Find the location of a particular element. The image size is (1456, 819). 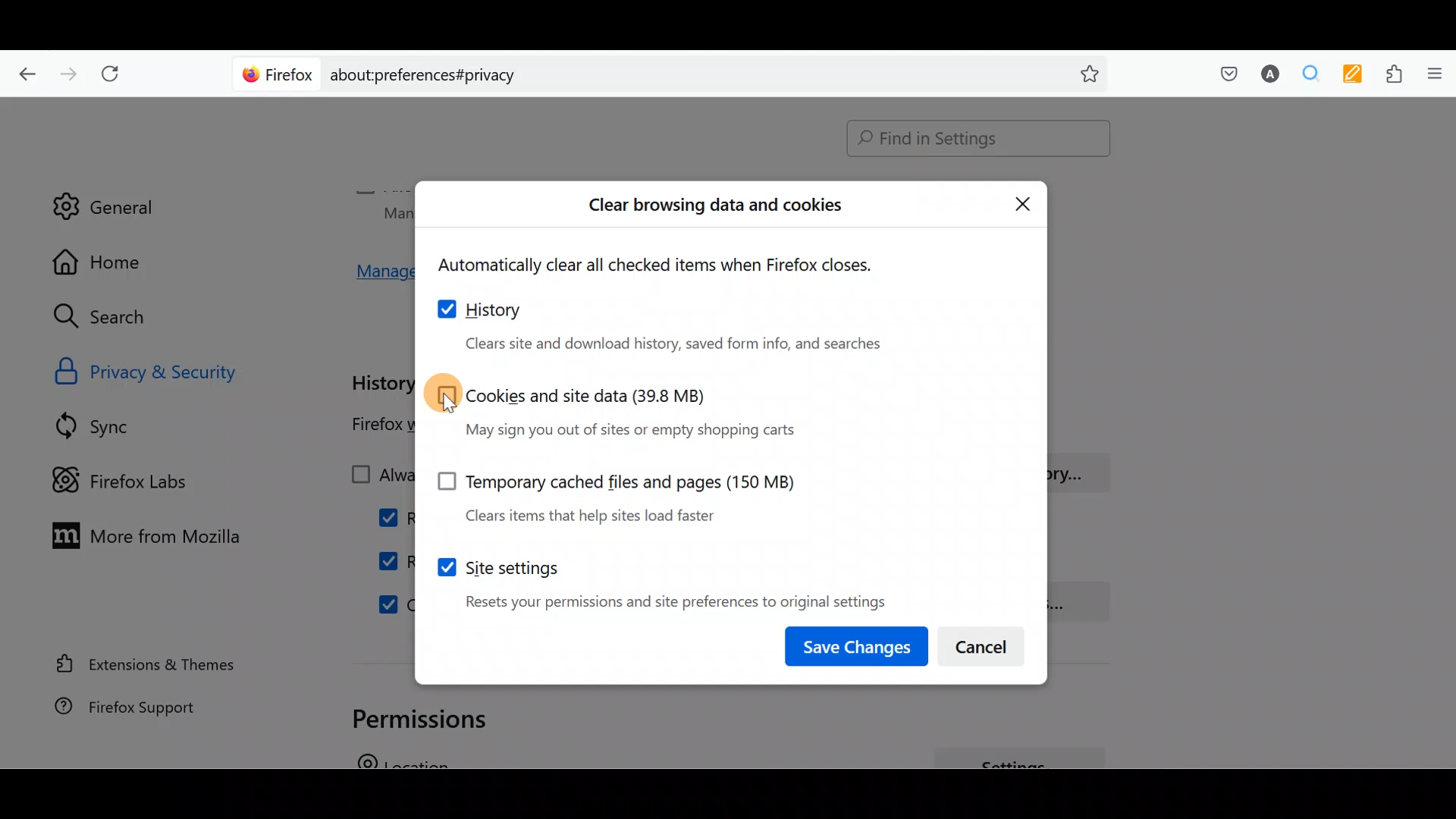

General is located at coordinates (104, 196).